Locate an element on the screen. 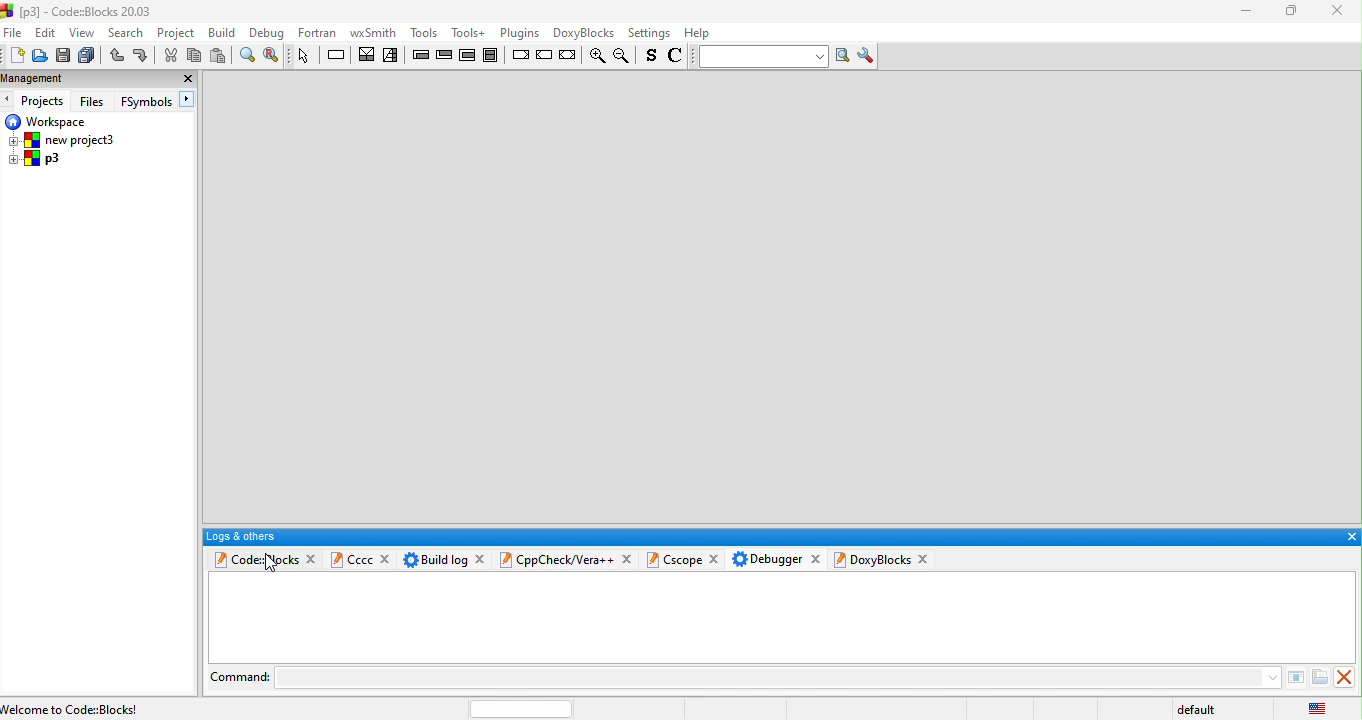 Image resolution: width=1362 pixels, height=720 pixels. execute commad is located at coordinates (1293, 676).